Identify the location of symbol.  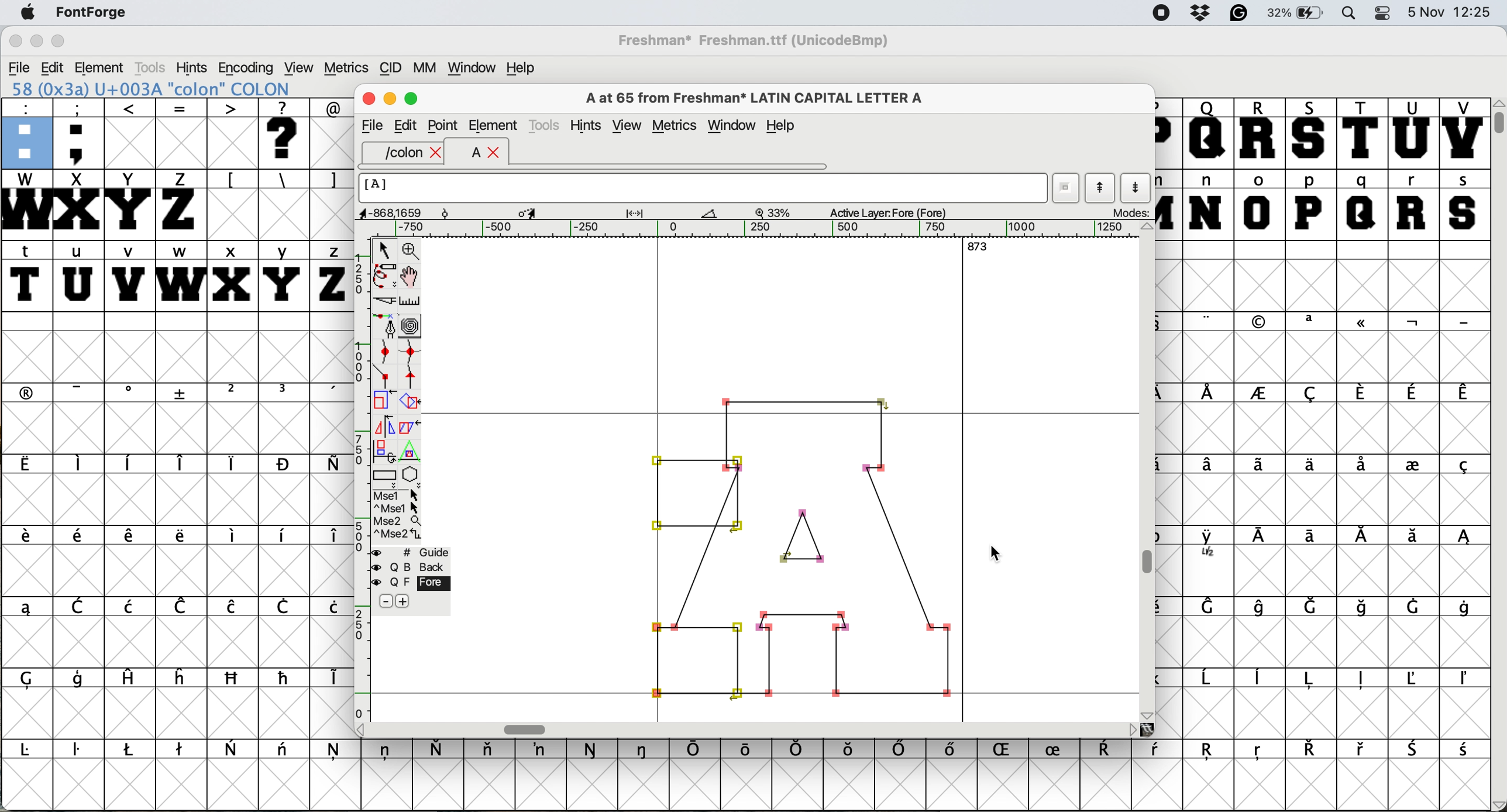
(1412, 536).